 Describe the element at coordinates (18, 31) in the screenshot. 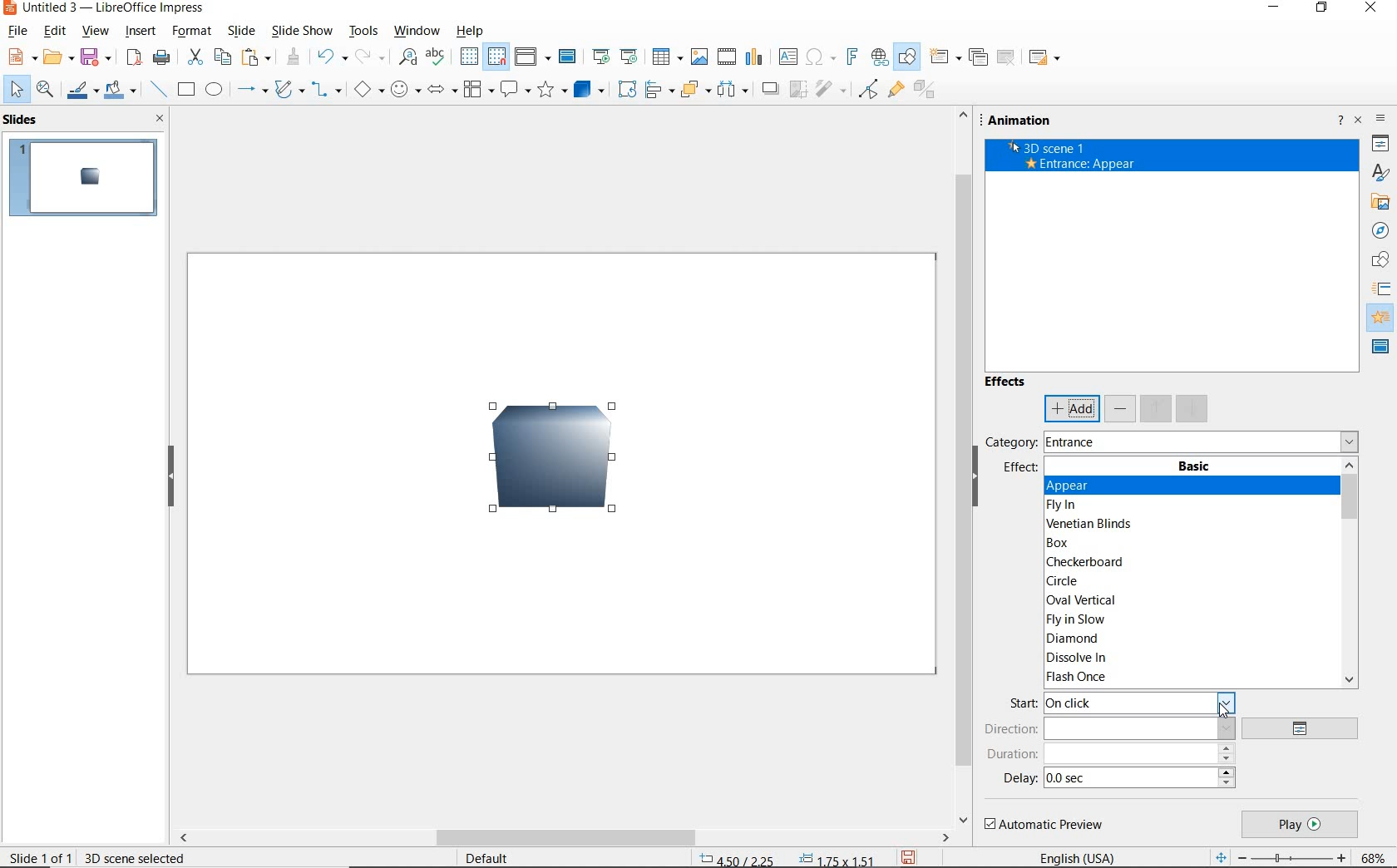

I see `file` at that location.